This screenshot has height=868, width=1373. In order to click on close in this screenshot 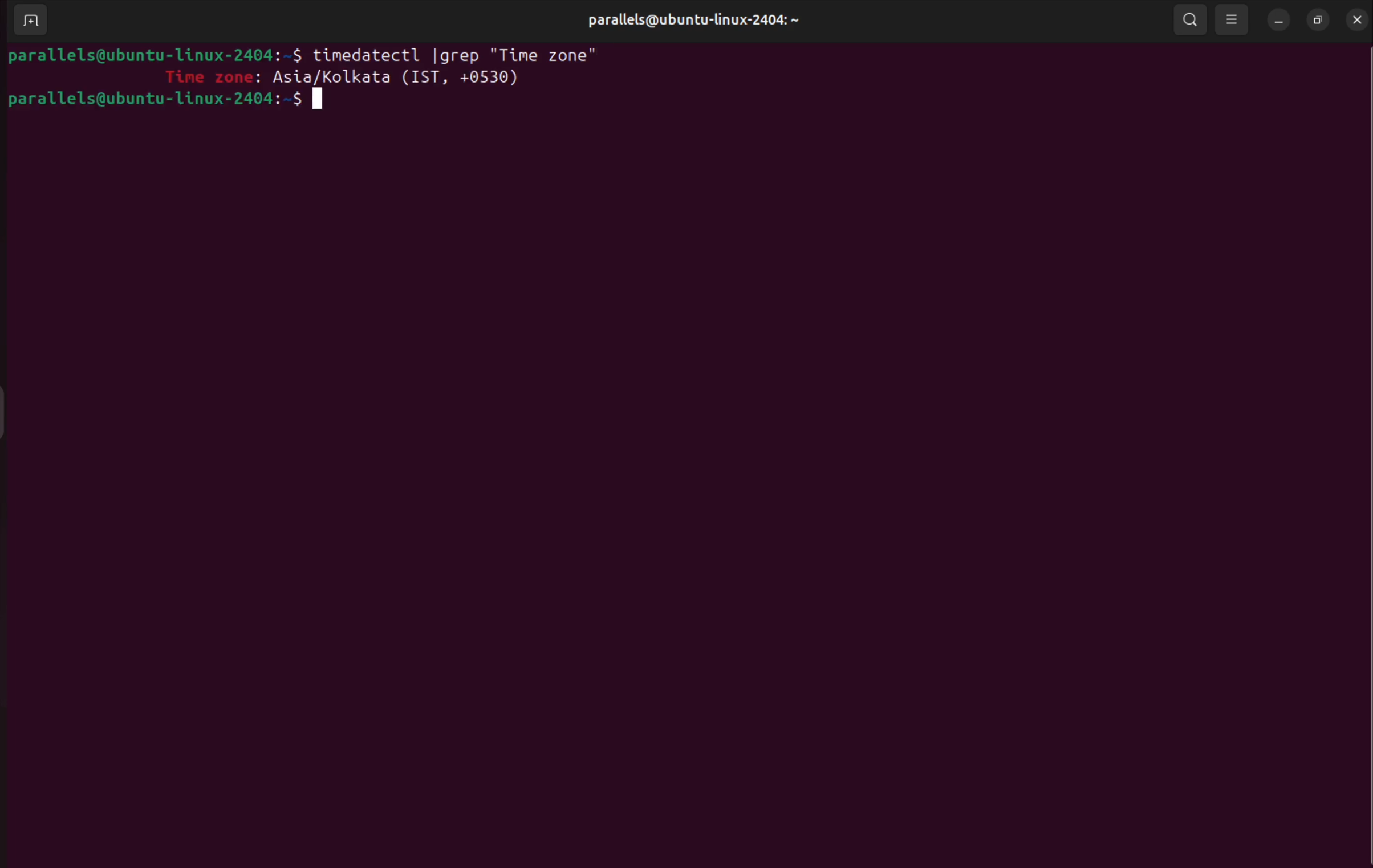, I will do `click(1357, 19)`.